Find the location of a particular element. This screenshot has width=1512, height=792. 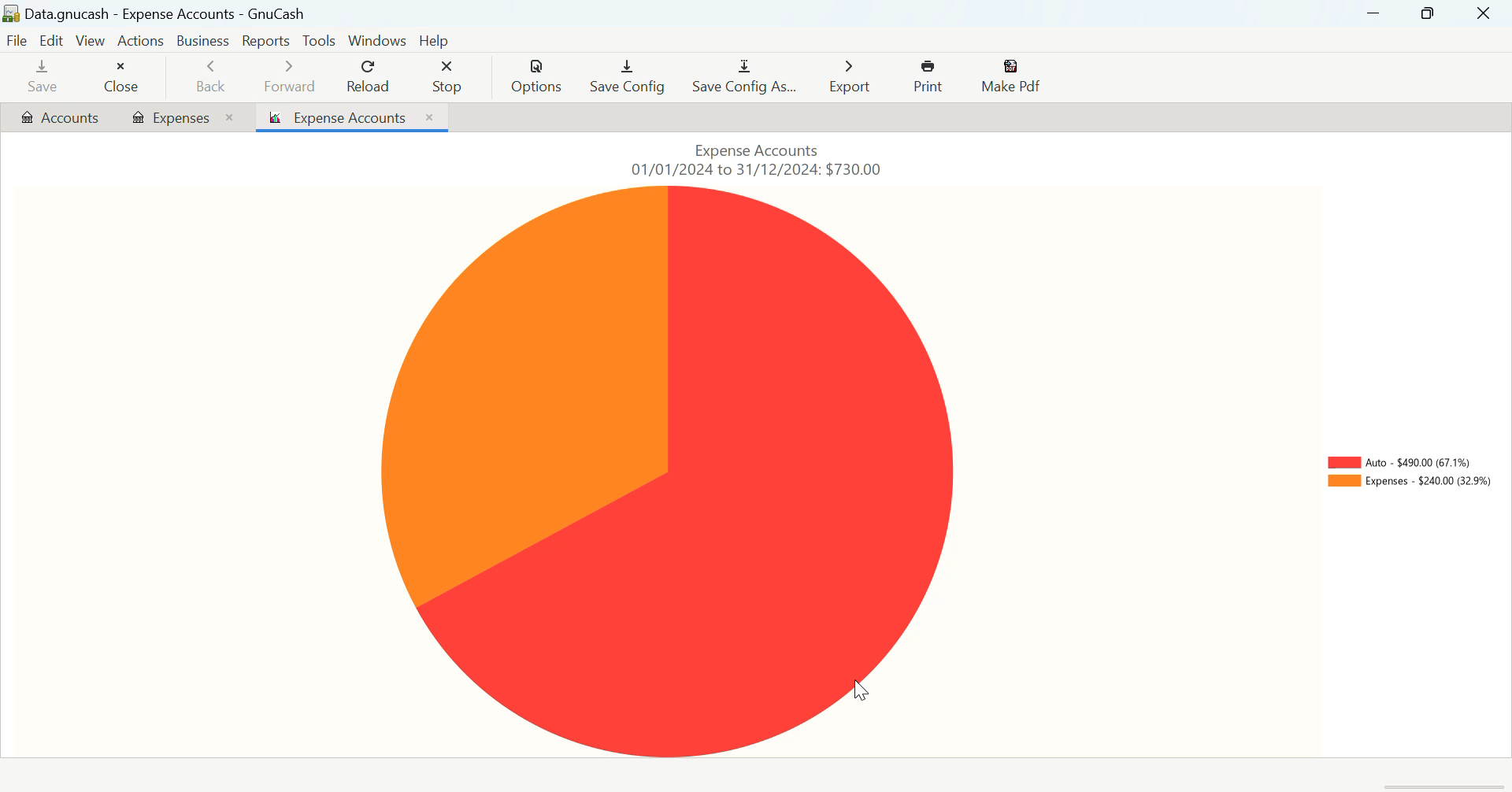

Make Pdf is located at coordinates (1010, 78).